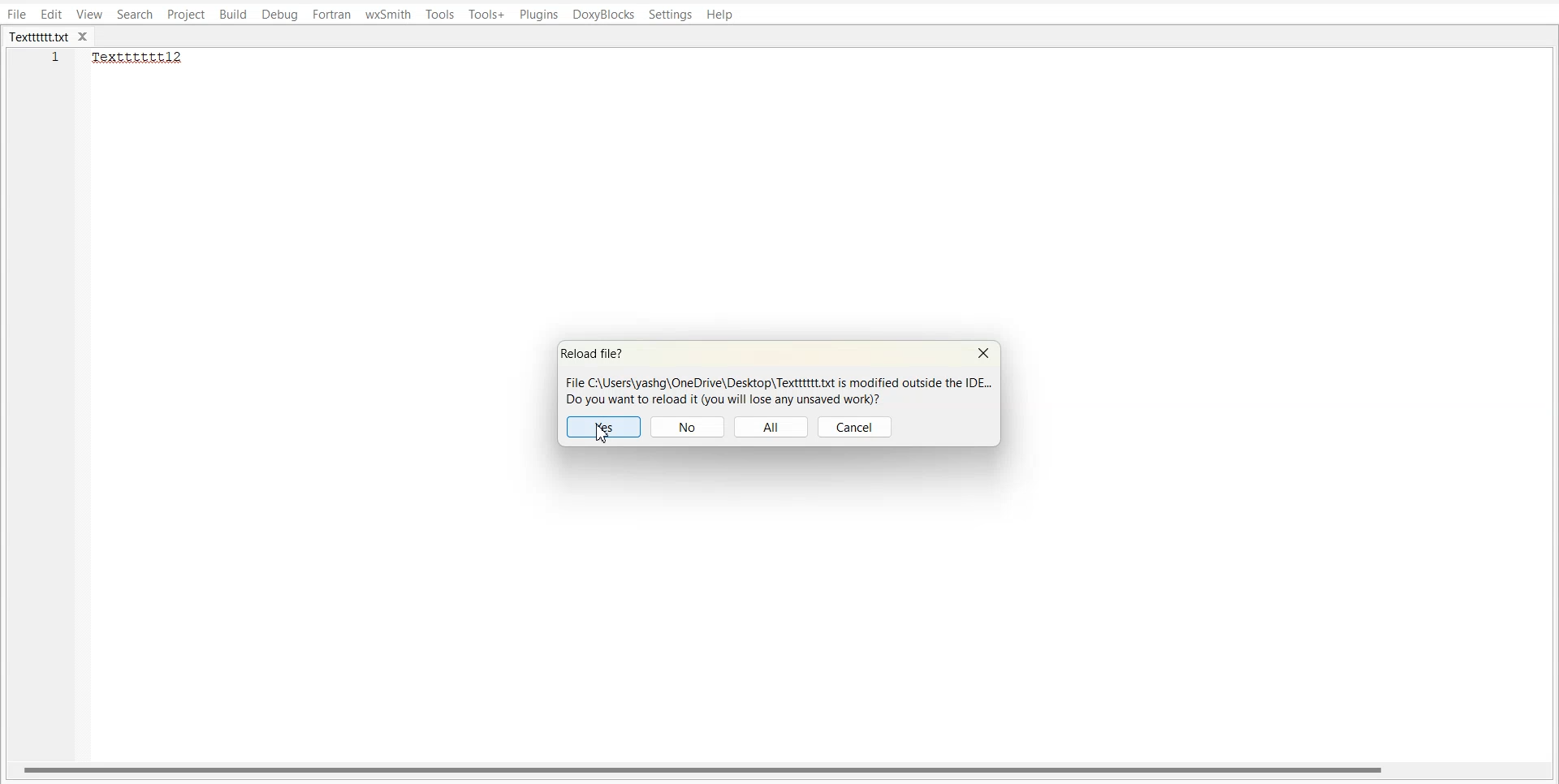 This screenshot has width=1559, height=784. I want to click on Horizontal scroll bar, so click(705, 769).